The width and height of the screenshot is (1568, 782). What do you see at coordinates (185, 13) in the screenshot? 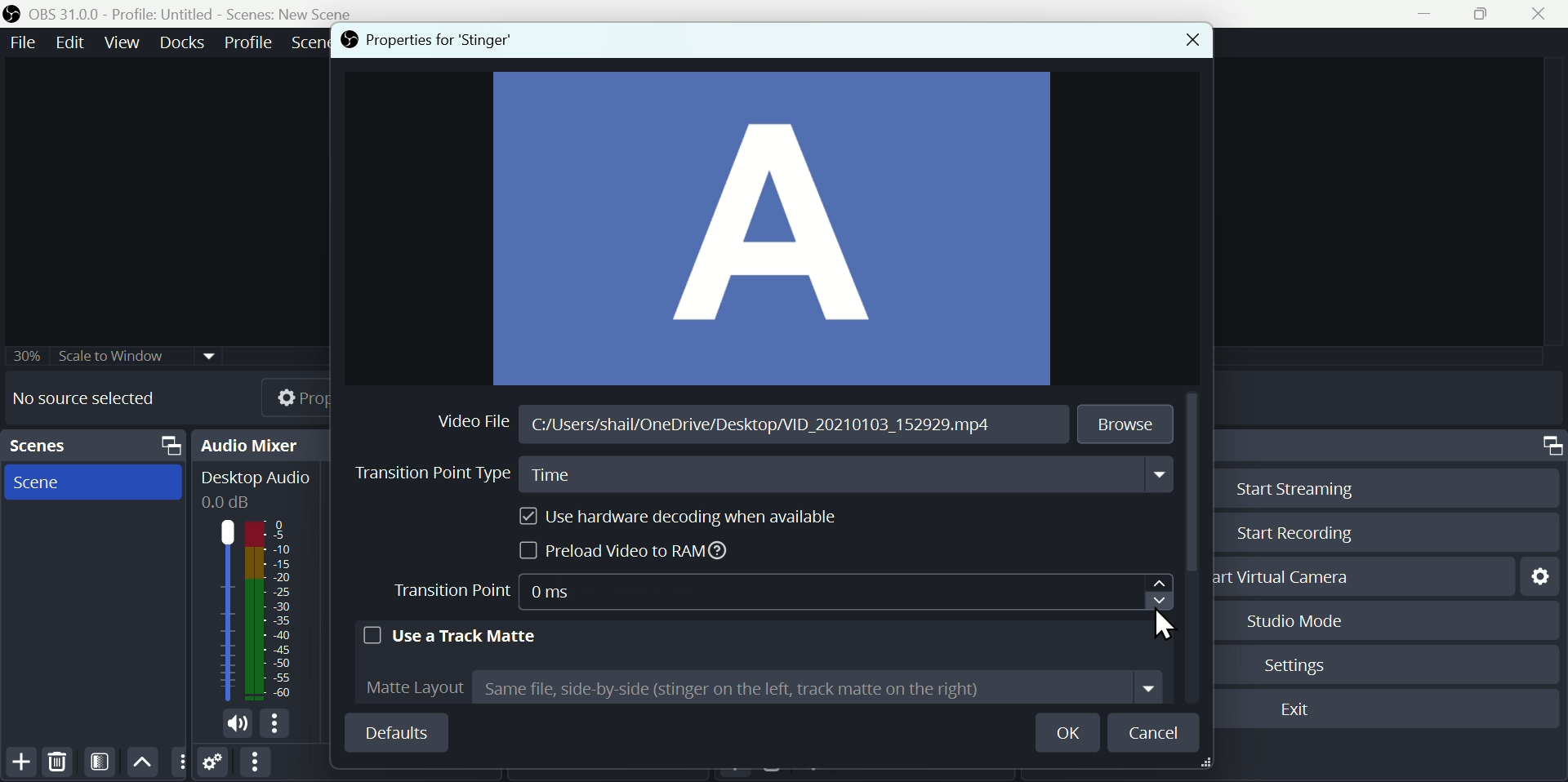
I see `OBS 31.0.0 - Profile: untitled scenes: new scene` at bounding box center [185, 13].